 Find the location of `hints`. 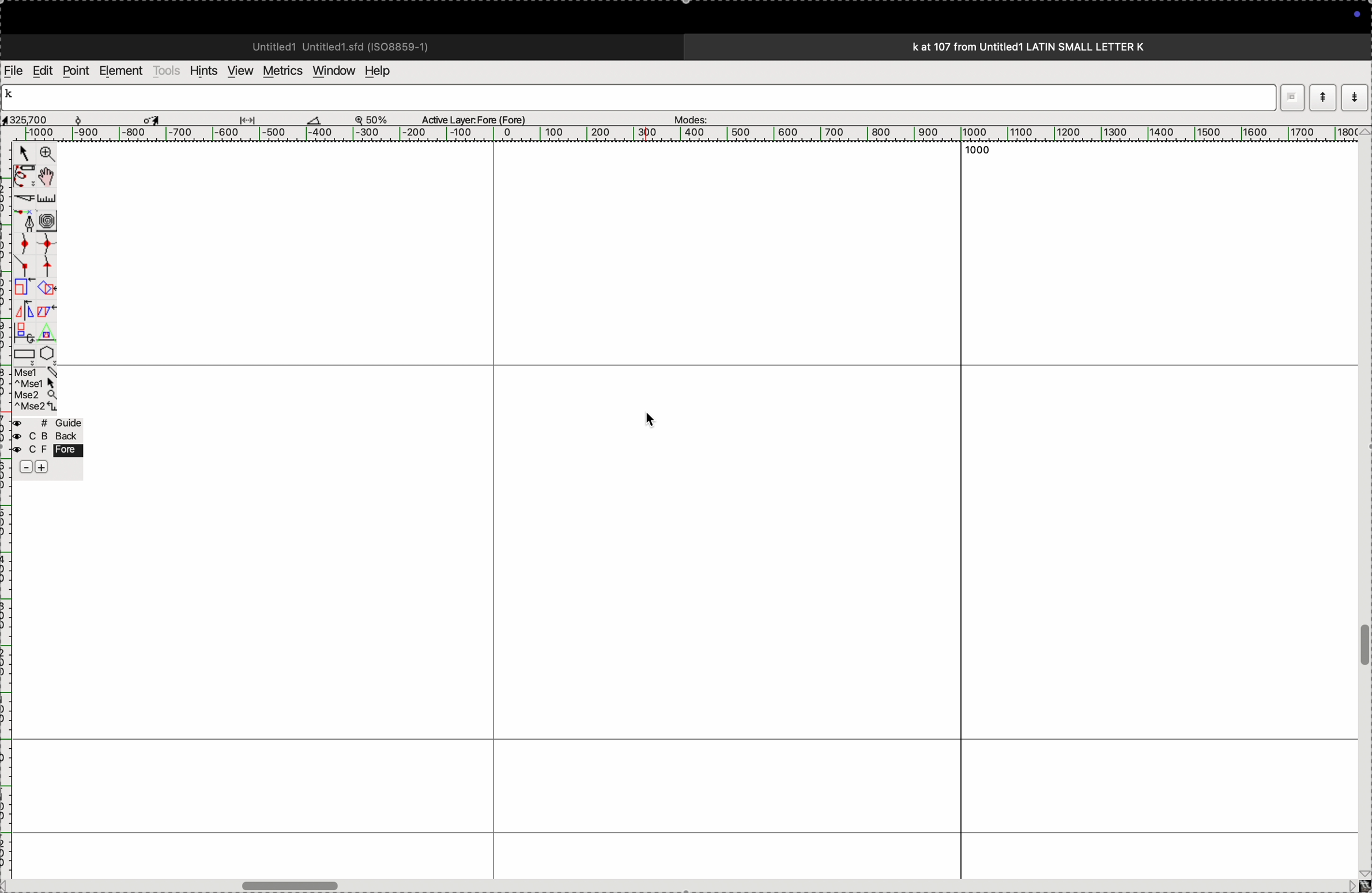

hints is located at coordinates (201, 70).